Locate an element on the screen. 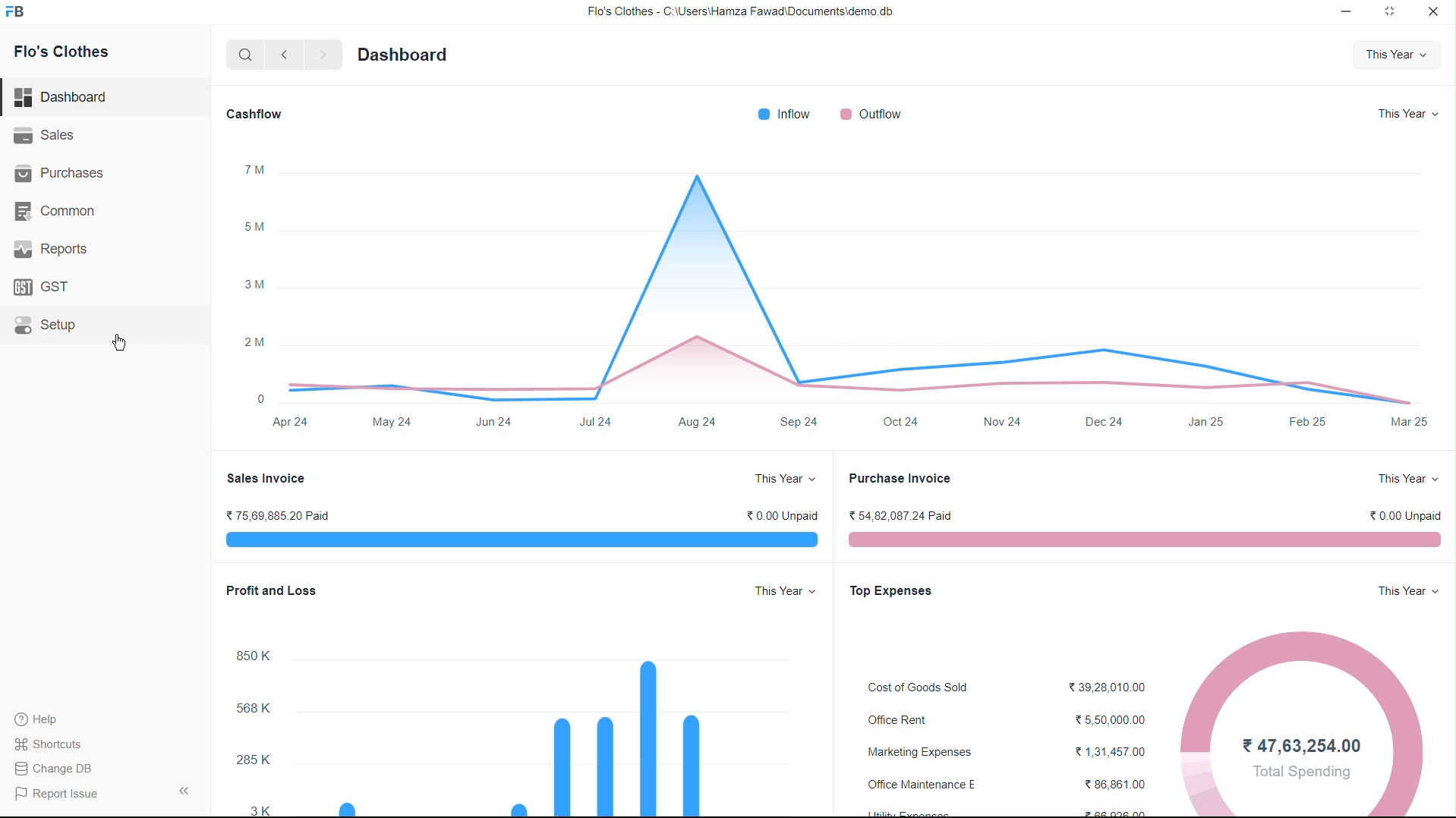  Profit and Loss is located at coordinates (265, 588).